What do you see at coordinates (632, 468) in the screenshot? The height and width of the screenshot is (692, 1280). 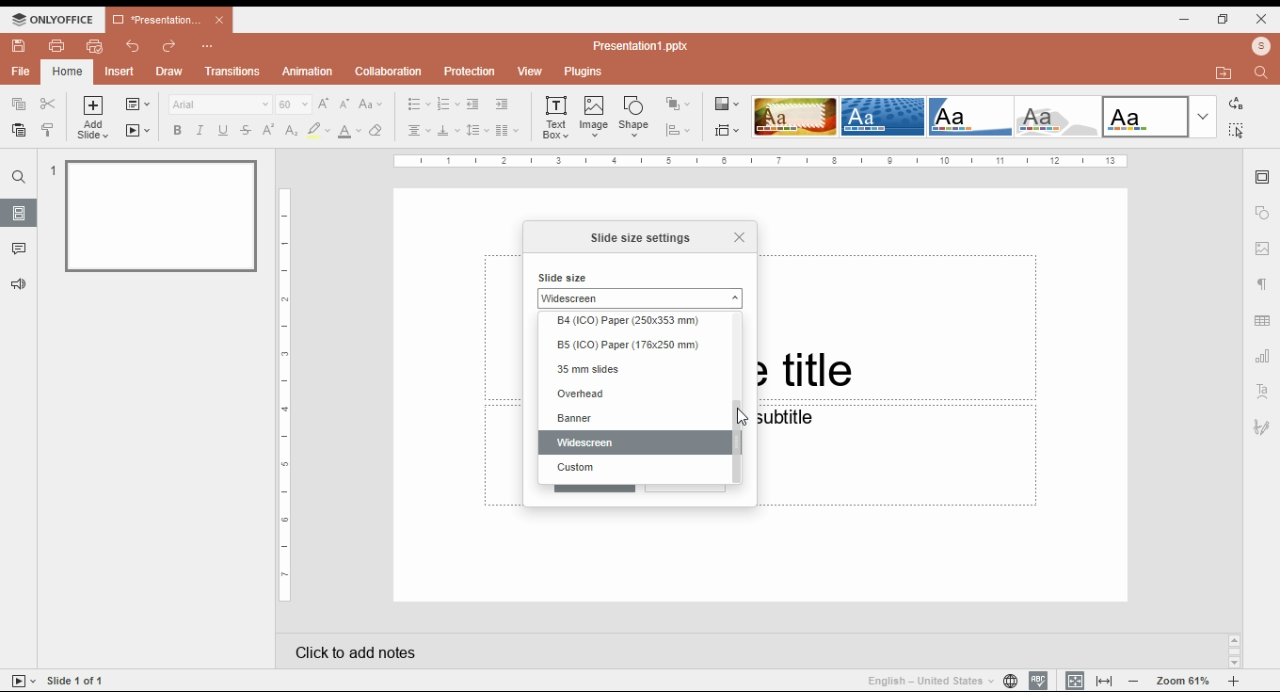 I see `Custom` at bounding box center [632, 468].